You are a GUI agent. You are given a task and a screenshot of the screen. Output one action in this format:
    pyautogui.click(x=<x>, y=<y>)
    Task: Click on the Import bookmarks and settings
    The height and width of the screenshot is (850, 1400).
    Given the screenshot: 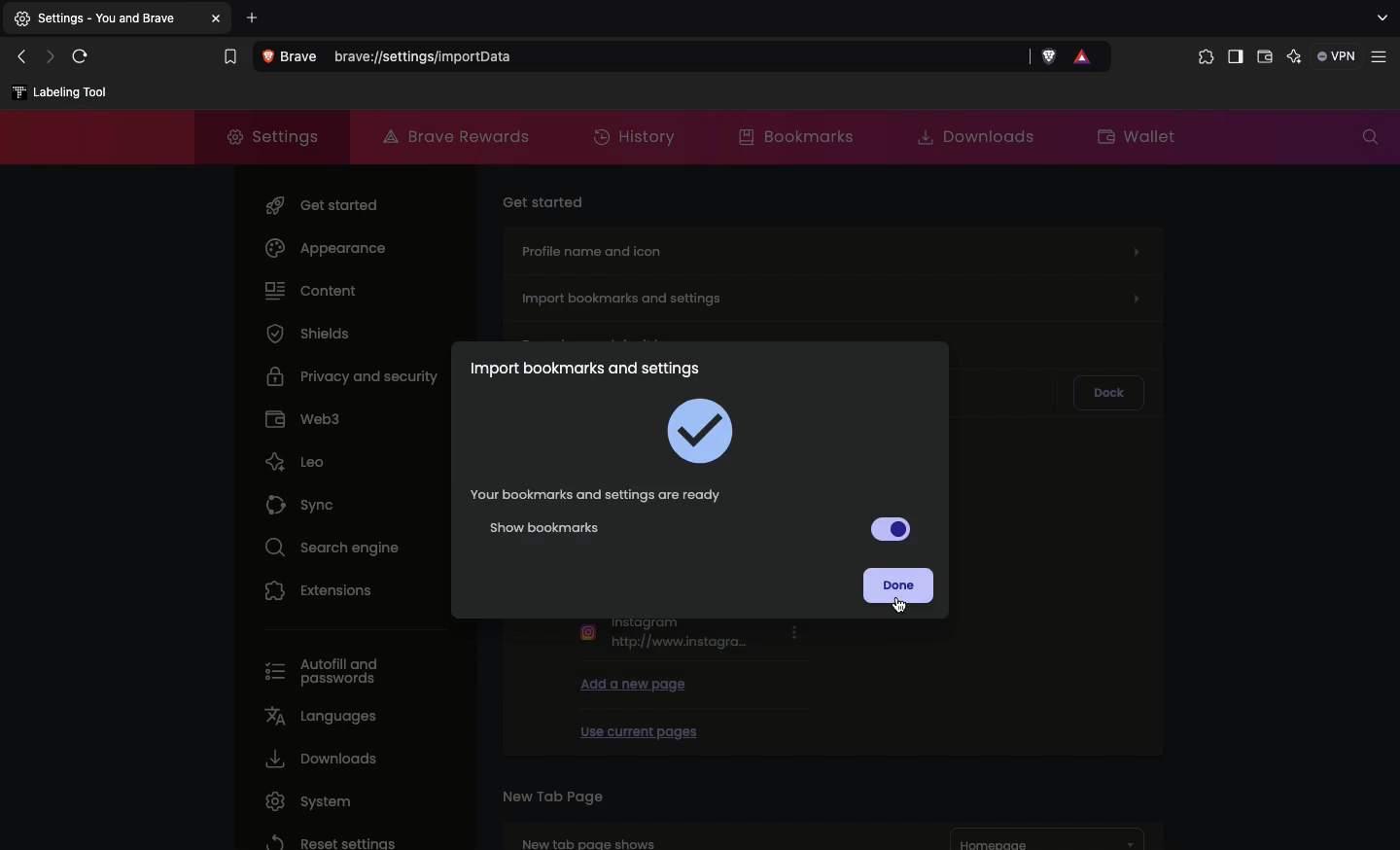 What is the action you would take?
    pyautogui.click(x=835, y=294)
    